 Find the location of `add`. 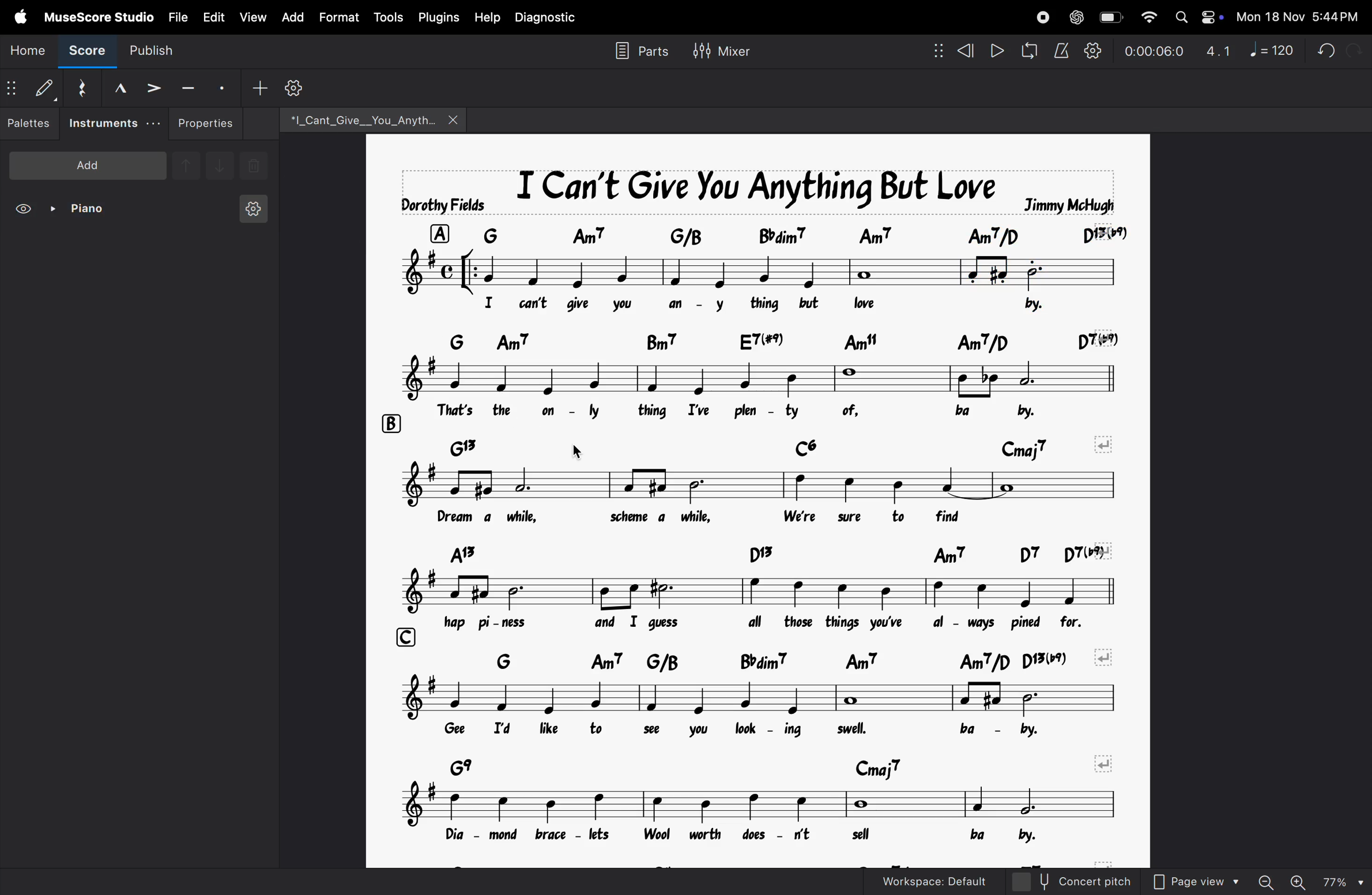

add is located at coordinates (88, 165).